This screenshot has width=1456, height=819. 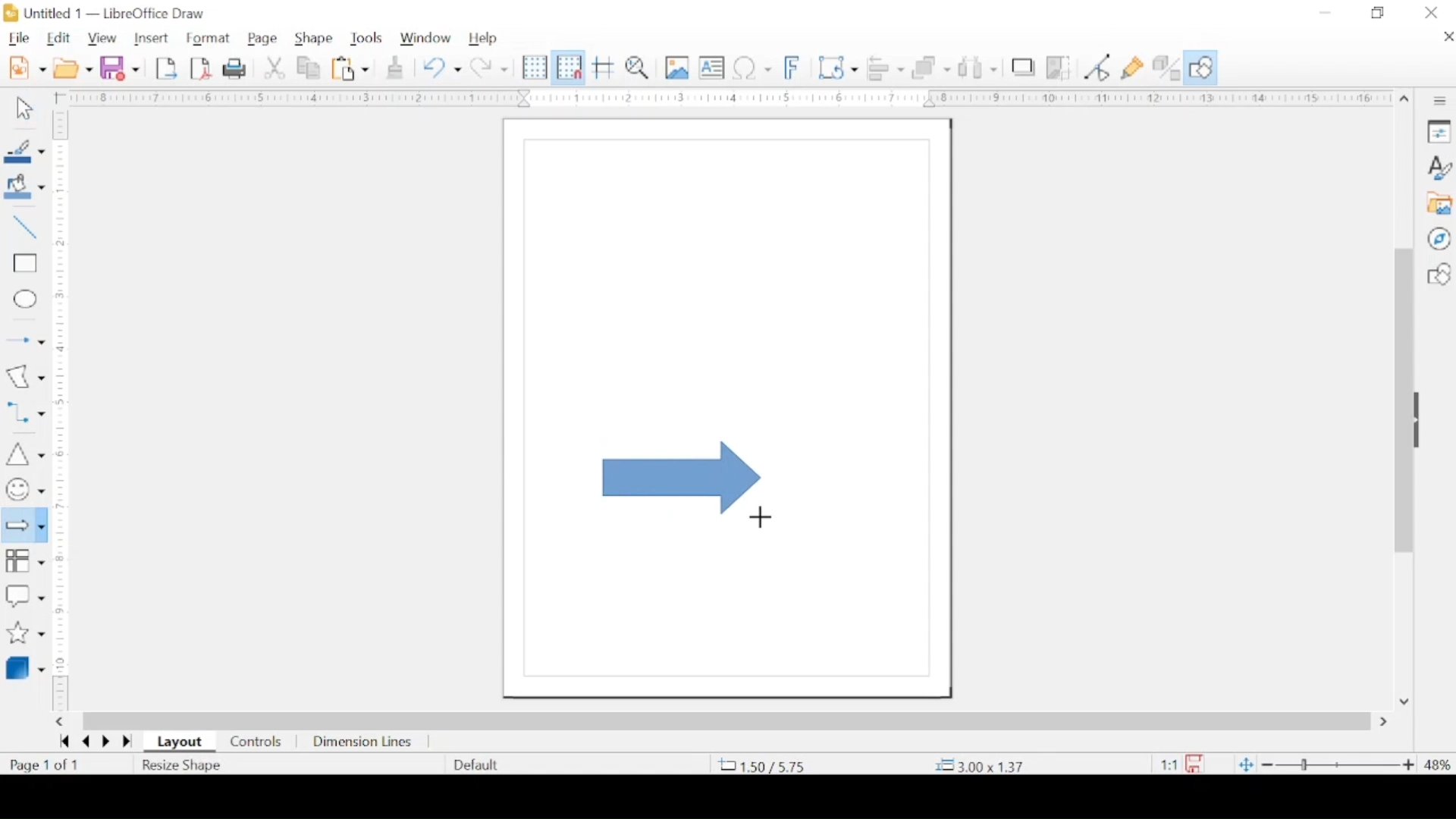 What do you see at coordinates (151, 38) in the screenshot?
I see `insert` at bounding box center [151, 38].